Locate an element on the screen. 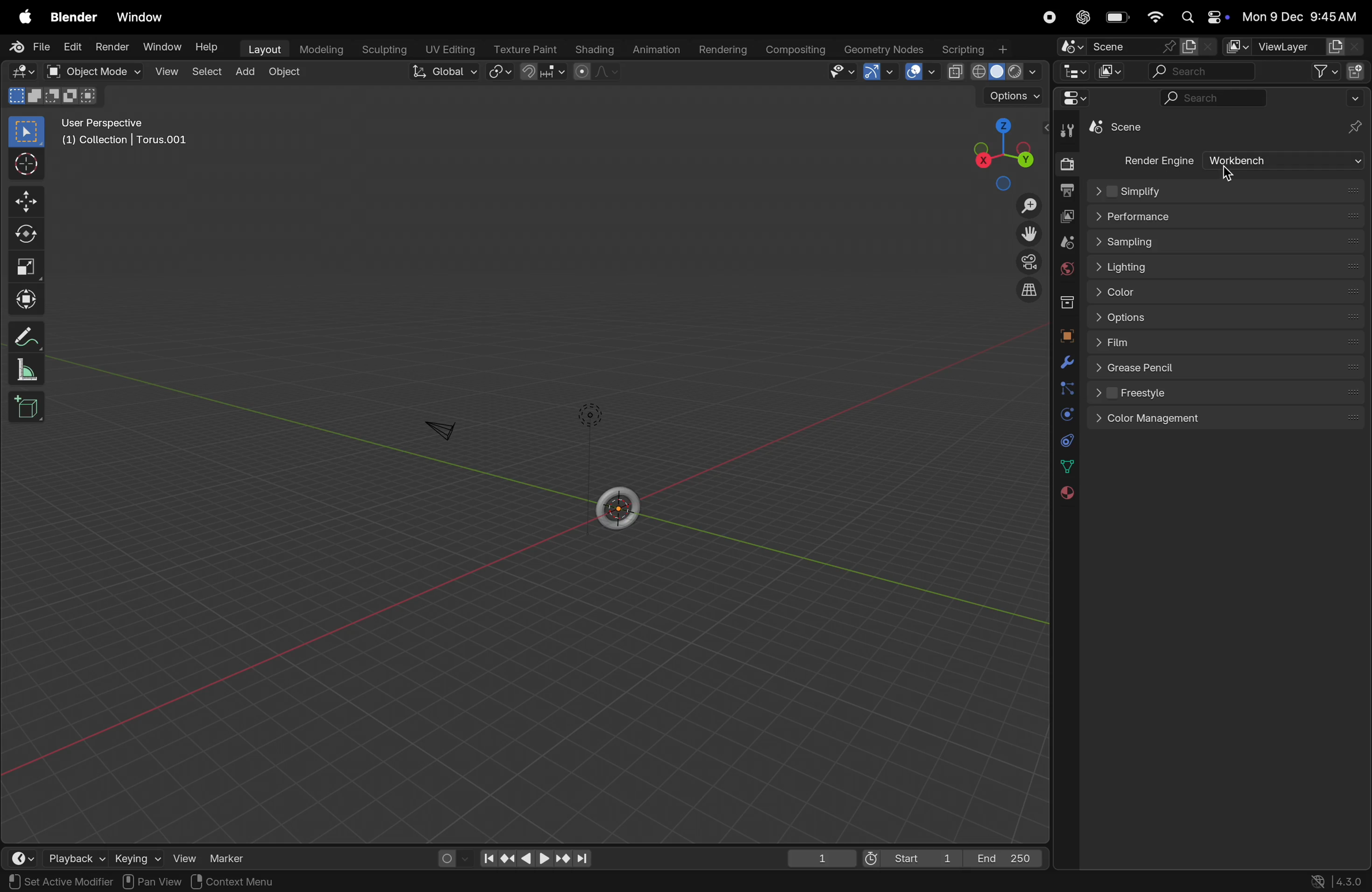  battery is located at coordinates (1118, 17).